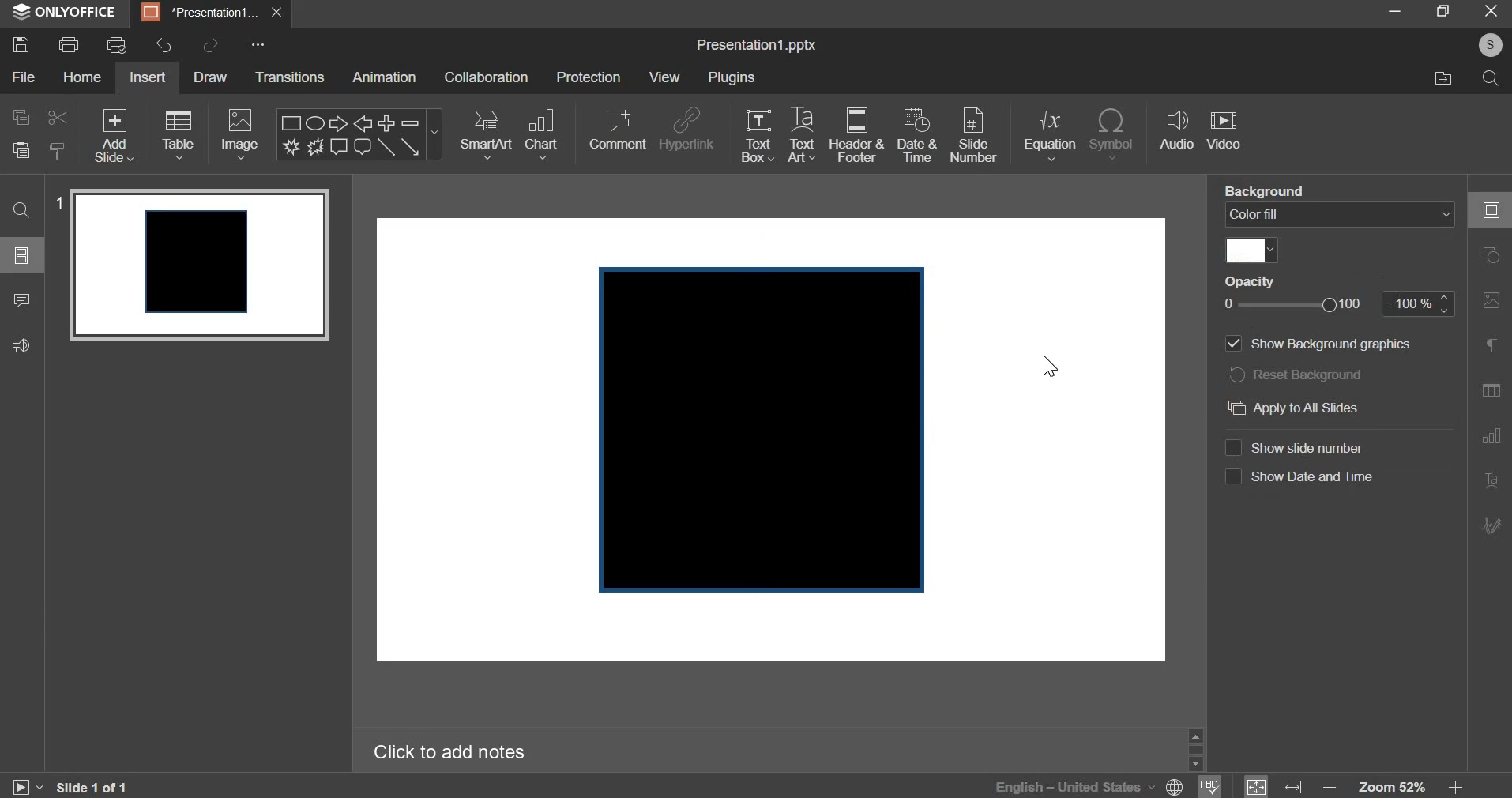 Image resolution: width=1512 pixels, height=798 pixels. Describe the element at coordinates (316, 147) in the screenshot. I see `Forward fee shape` at that location.